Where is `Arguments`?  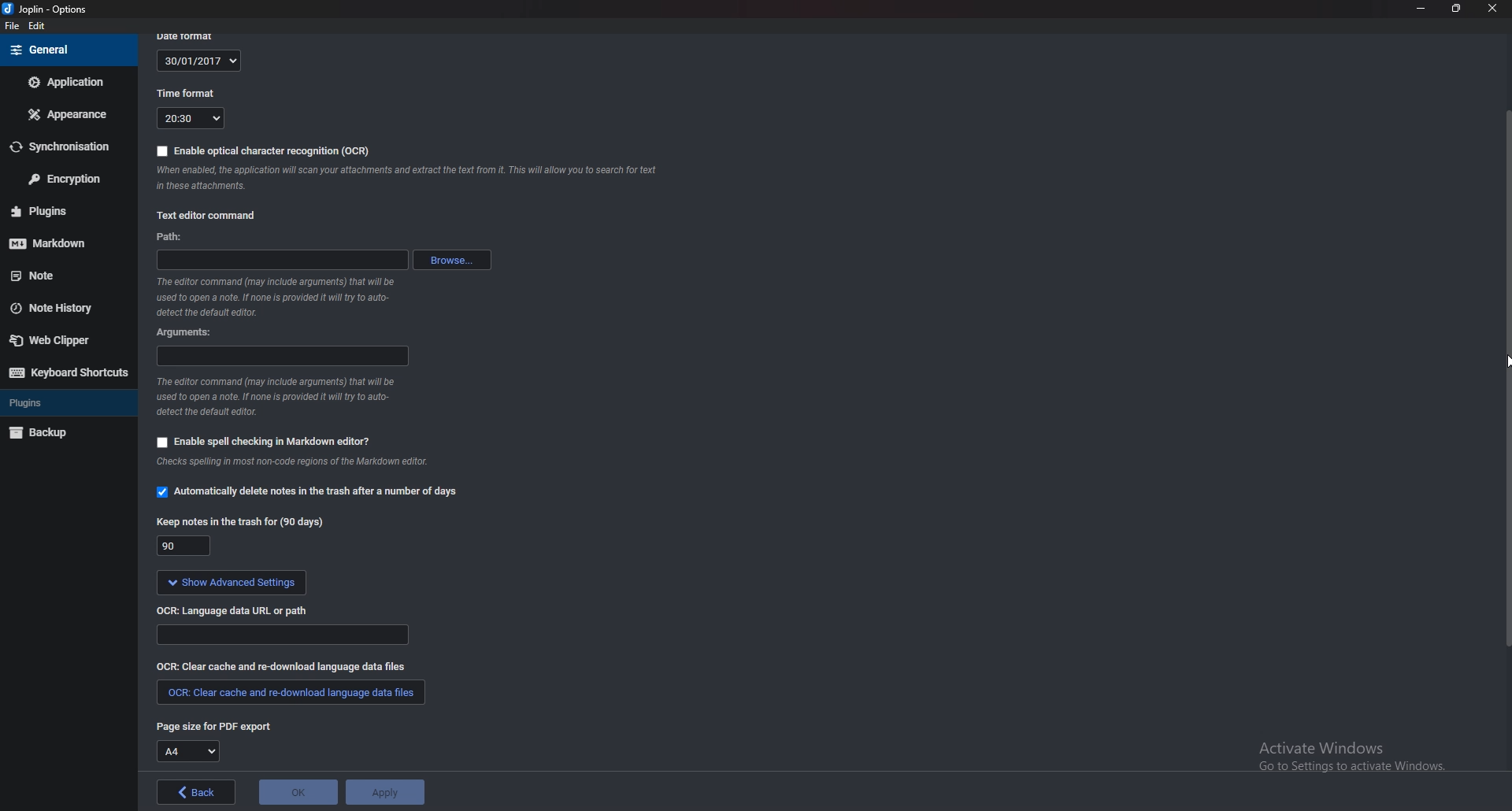 Arguments is located at coordinates (191, 333).